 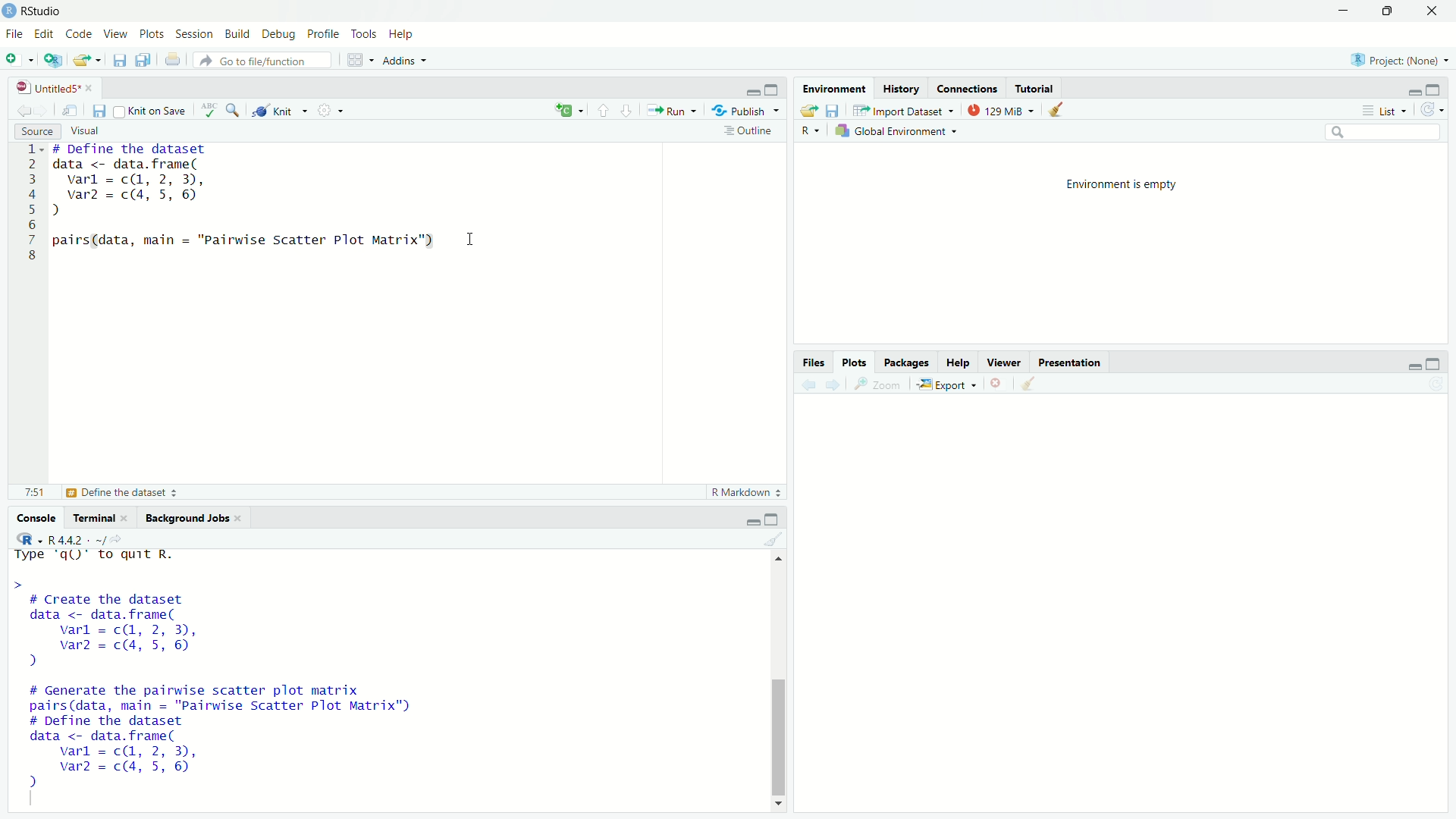 What do you see at coordinates (875, 382) in the screenshot?
I see `Zoom` at bounding box center [875, 382].